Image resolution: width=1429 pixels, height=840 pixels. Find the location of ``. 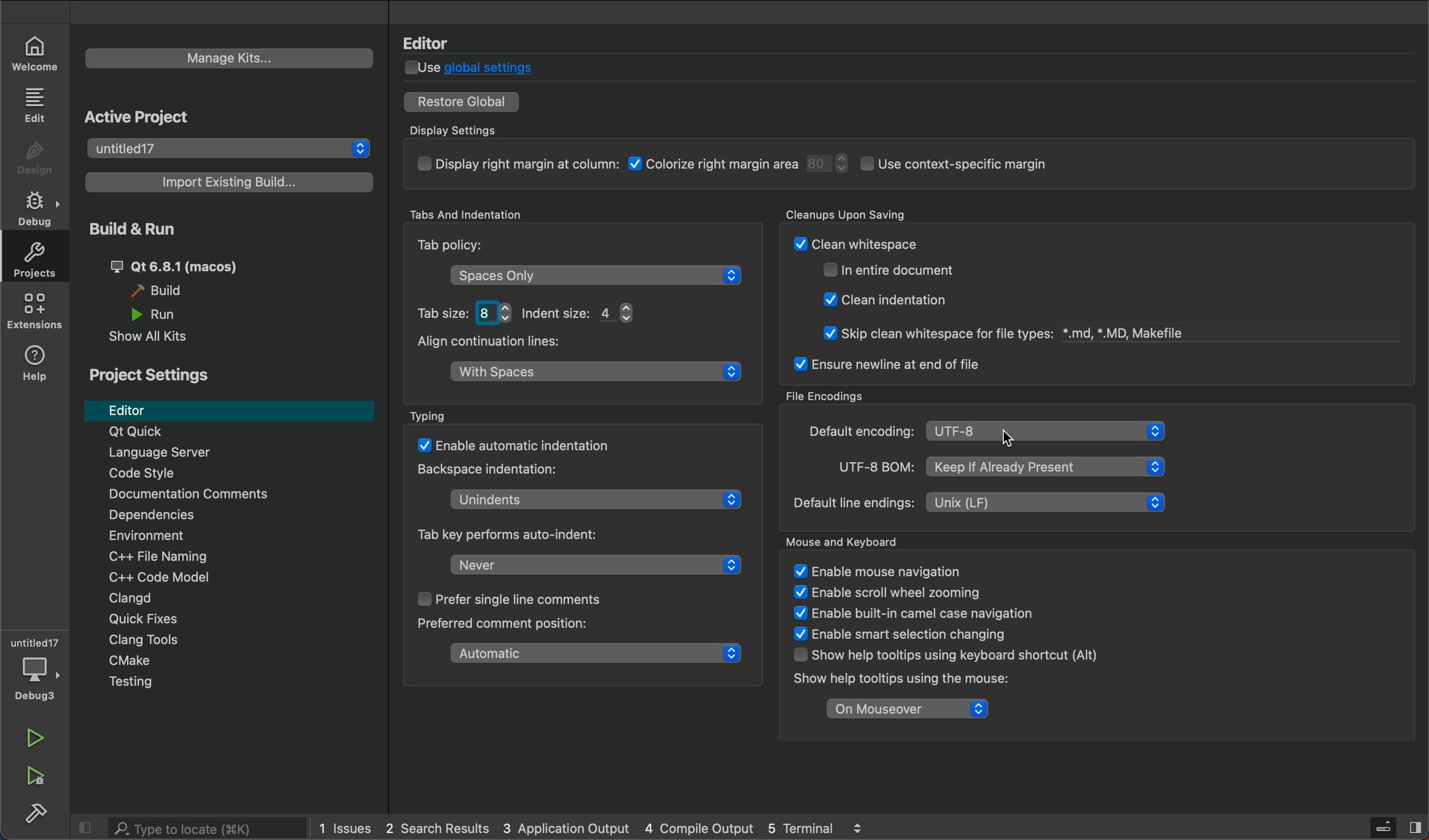

 is located at coordinates (166, 316).